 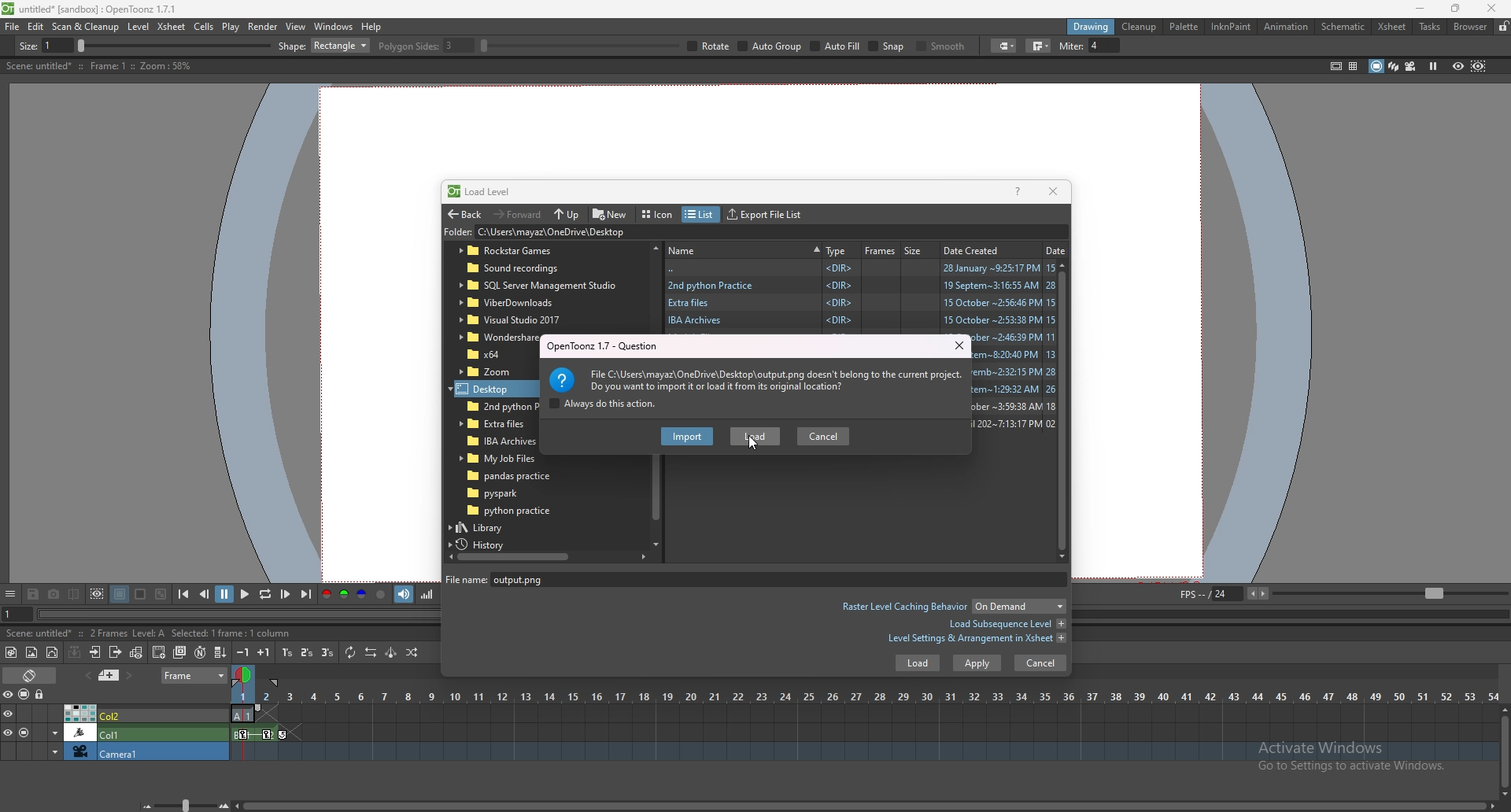 I want to click on time scale, so click(x=865, y=696).